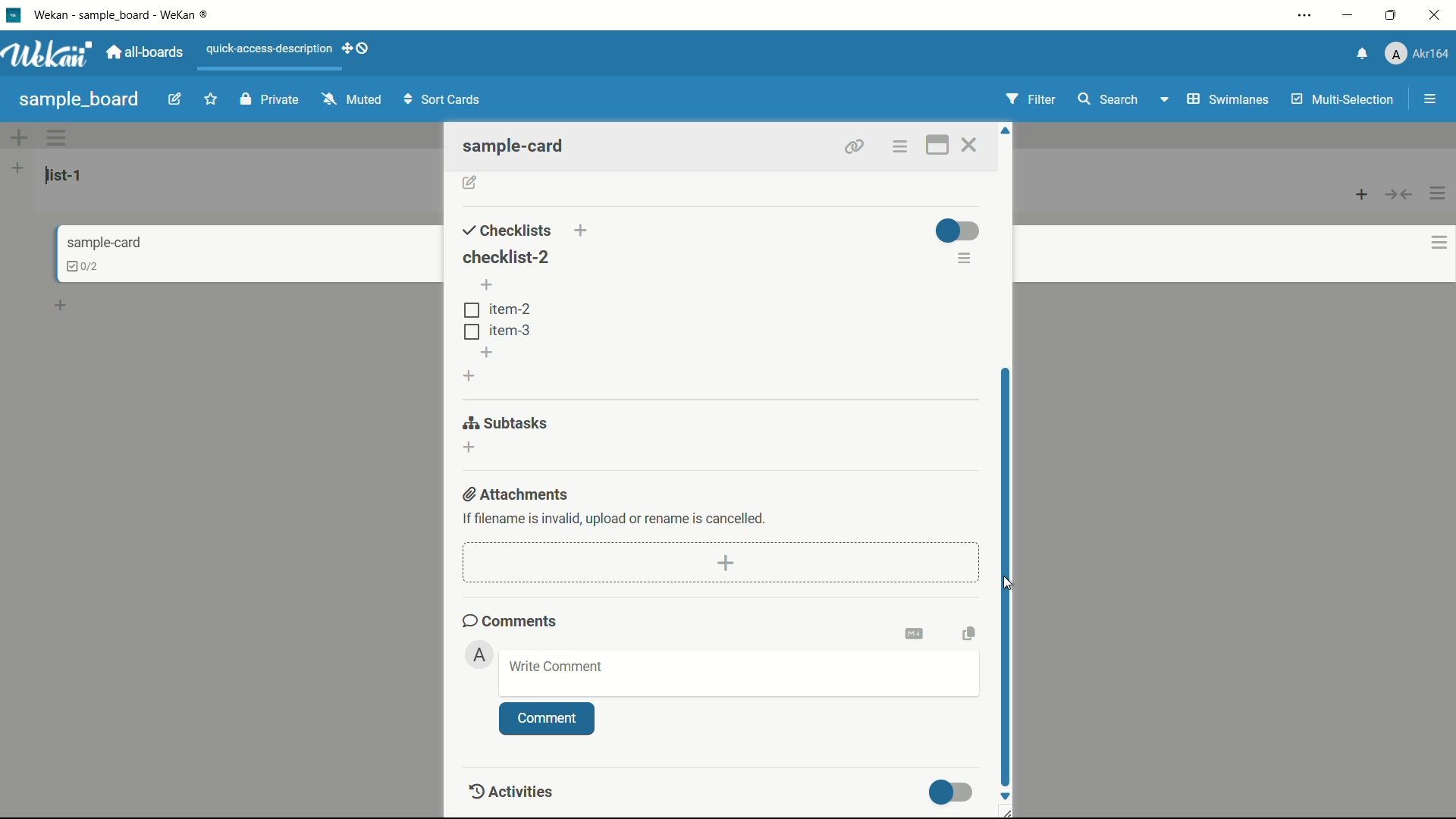  Describe the element at coordinates (1392, 14) in the screenshot. I see `maximize` at that location.